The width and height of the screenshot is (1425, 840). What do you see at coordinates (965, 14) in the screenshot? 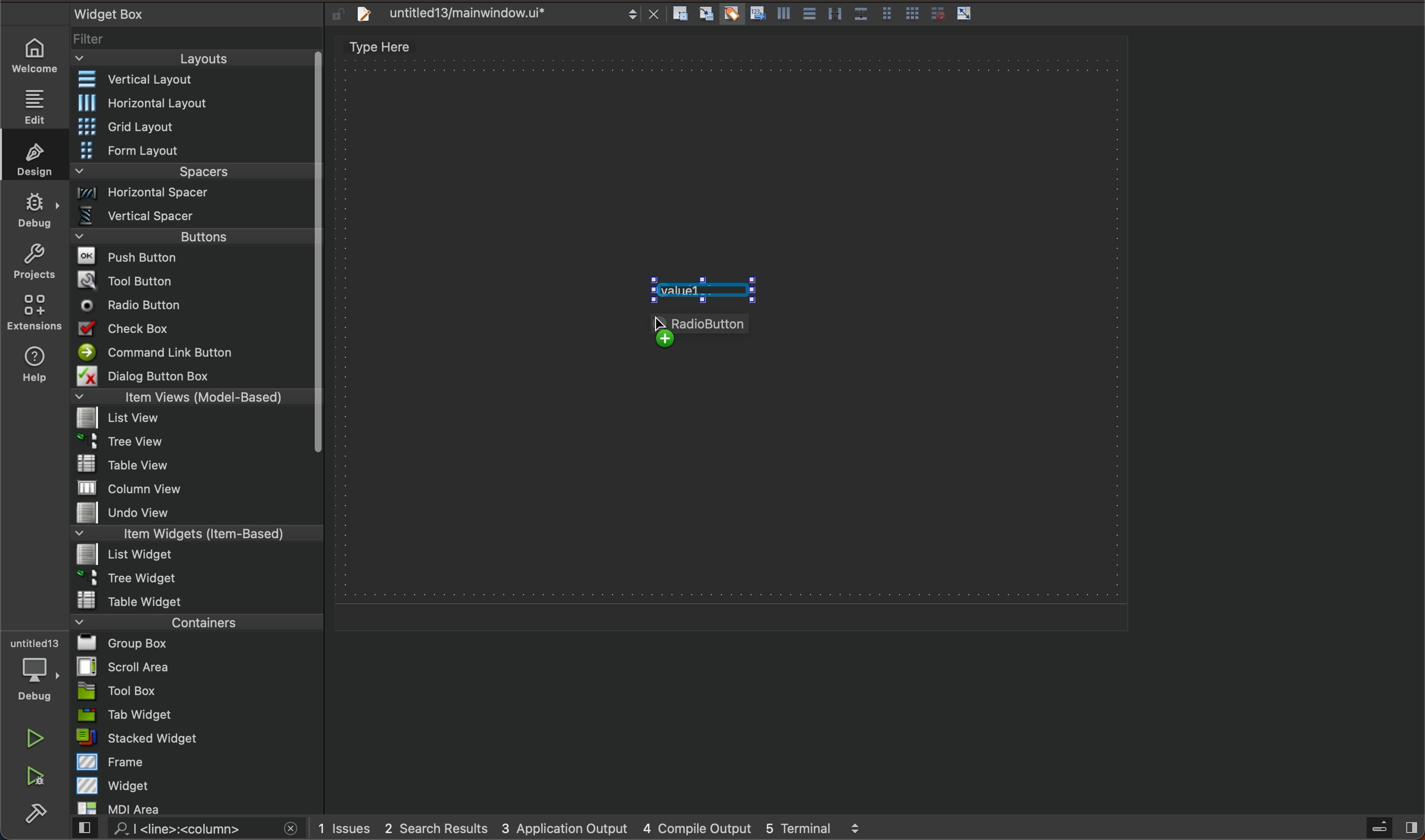
I see `` at bounding box center [965, 14].